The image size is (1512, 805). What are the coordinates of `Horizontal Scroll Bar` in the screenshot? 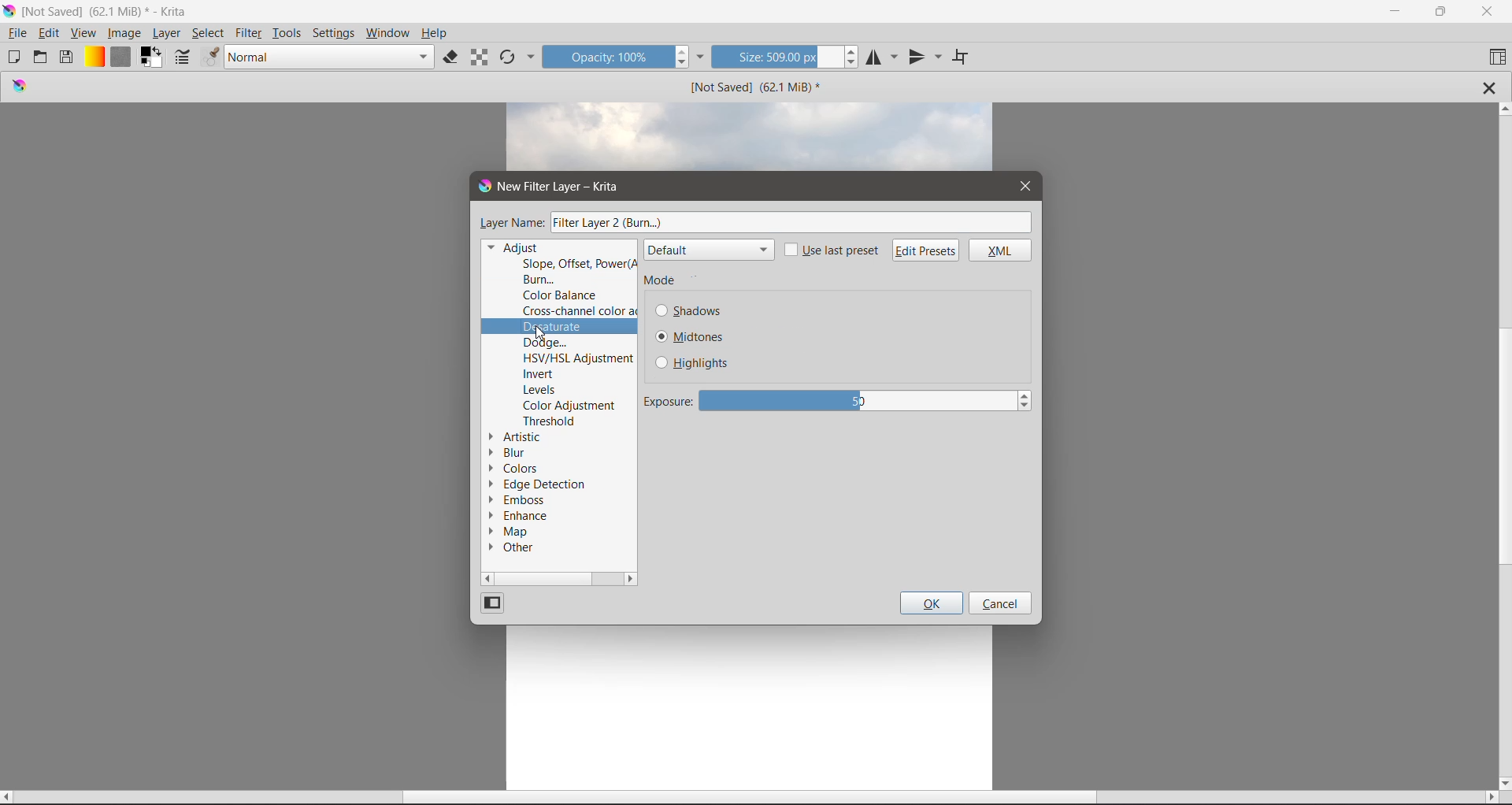 It's located at (558, 578).